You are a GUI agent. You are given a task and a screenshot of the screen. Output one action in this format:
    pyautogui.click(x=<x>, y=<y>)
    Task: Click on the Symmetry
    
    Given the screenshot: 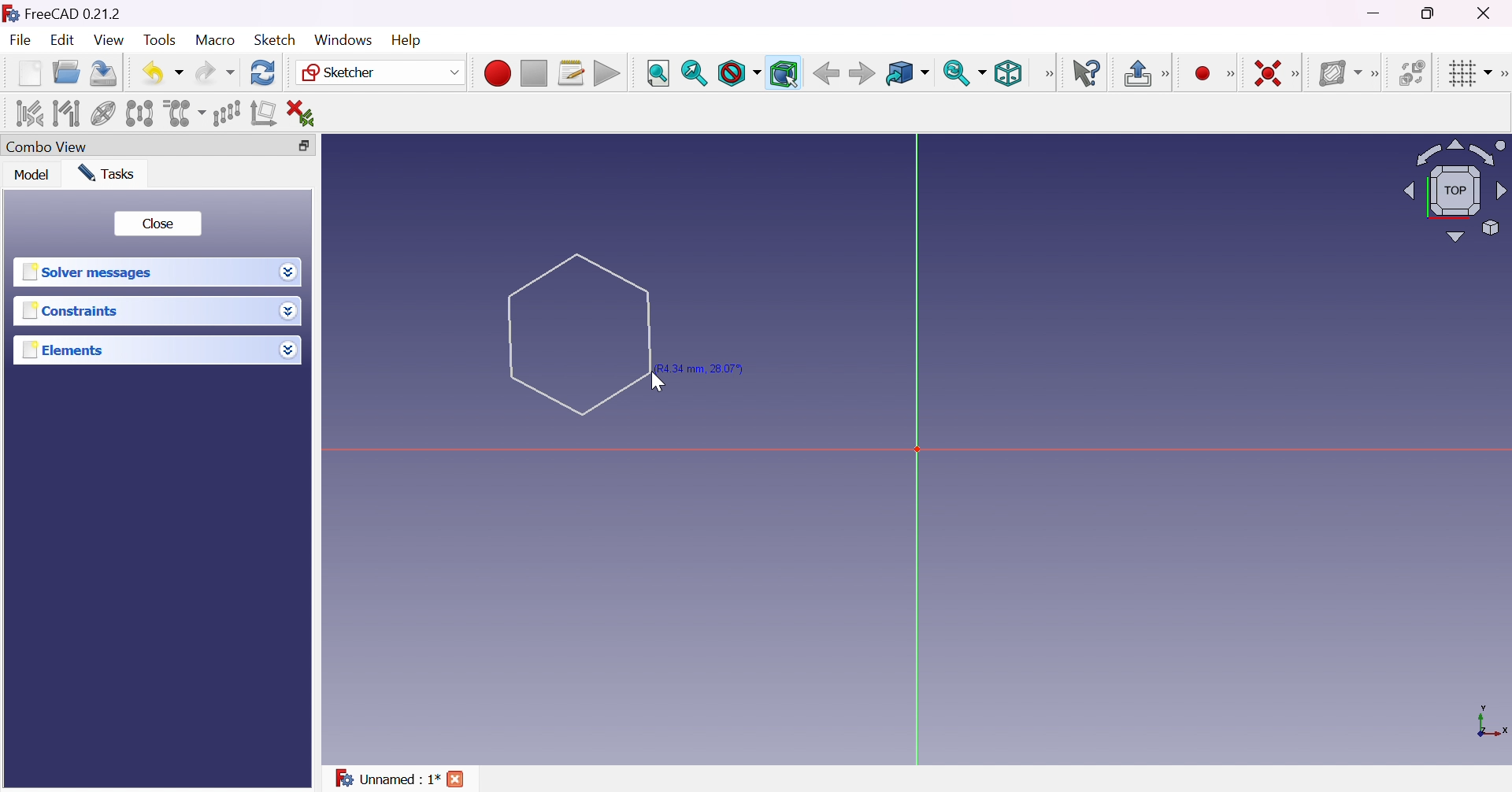 What is the action you would take?
    pyautogui.click(x=140, y=113)
    